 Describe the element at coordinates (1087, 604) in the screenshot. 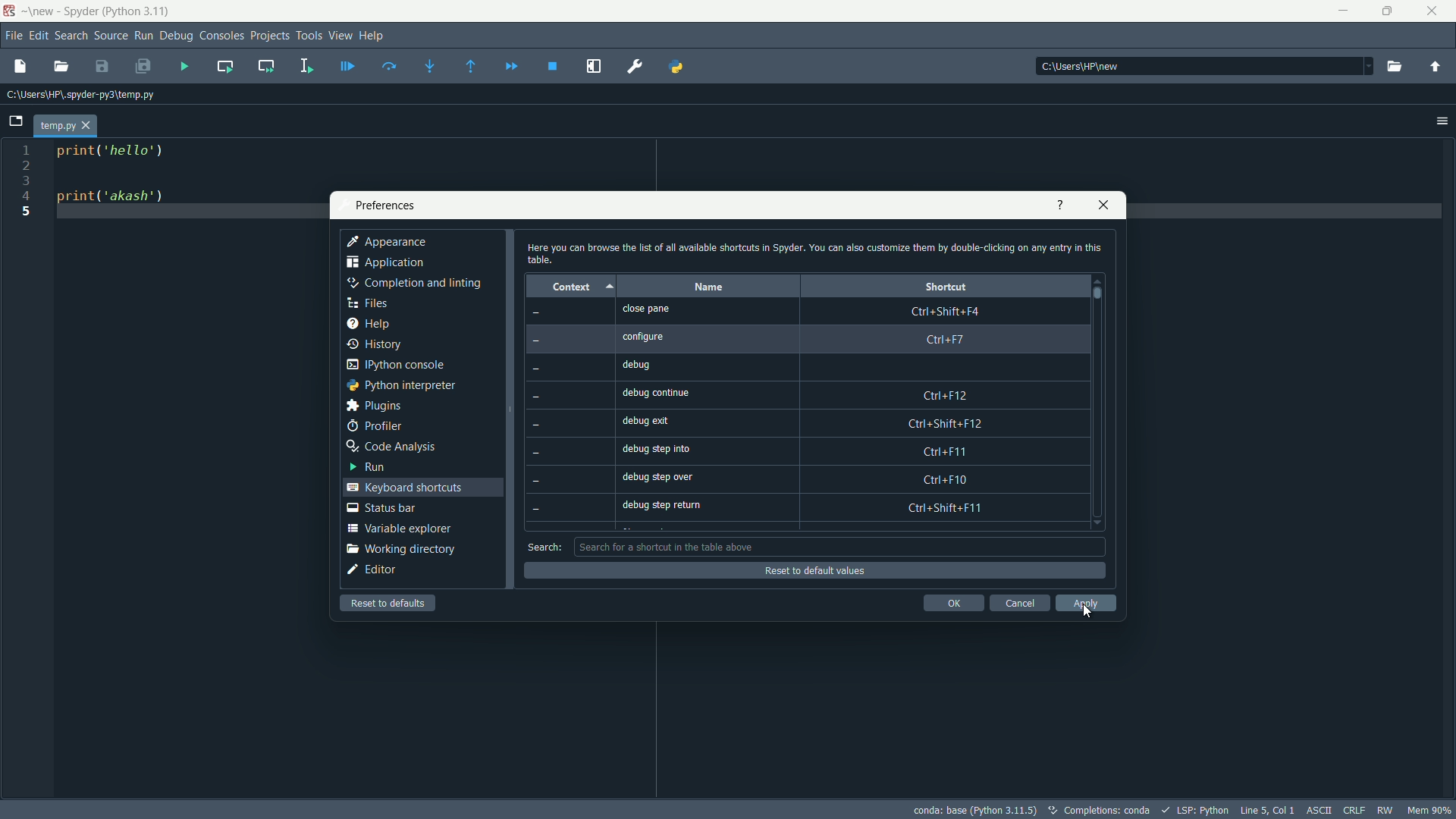

I see `apply` at that location.